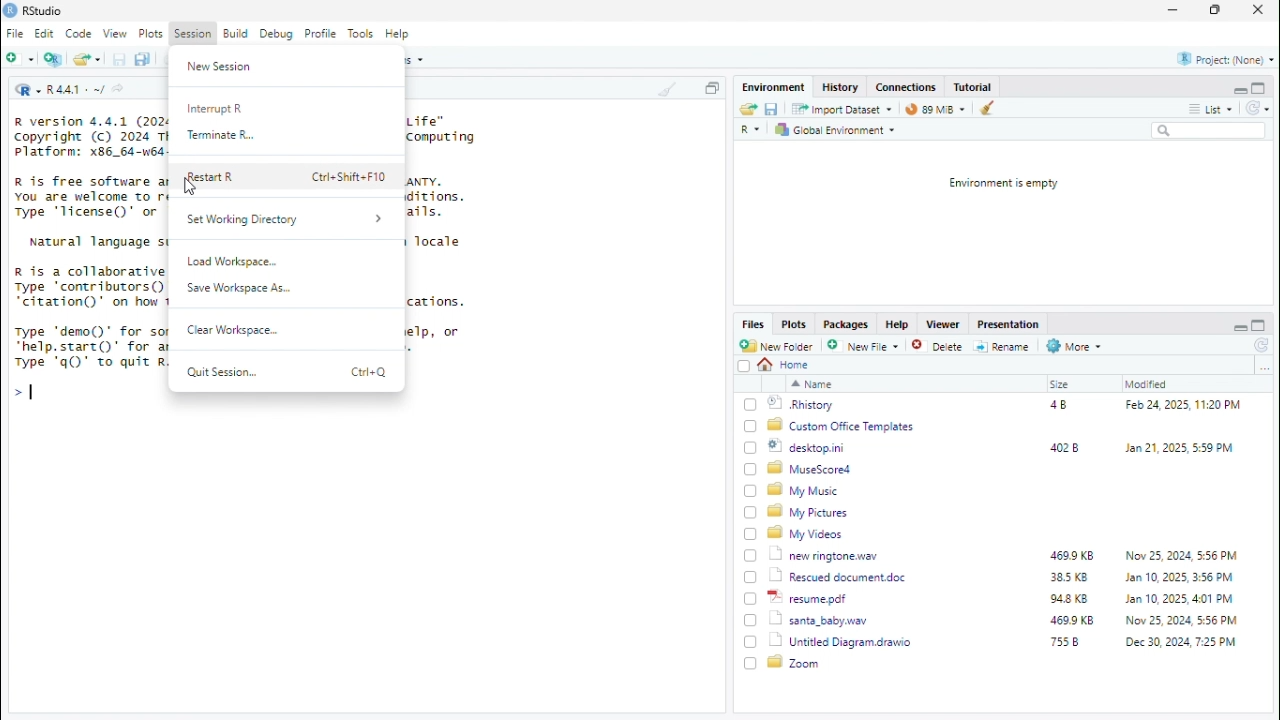  Describe the element at coordinates (1175, 8) in the screenshot. I see `minimise` at that location.